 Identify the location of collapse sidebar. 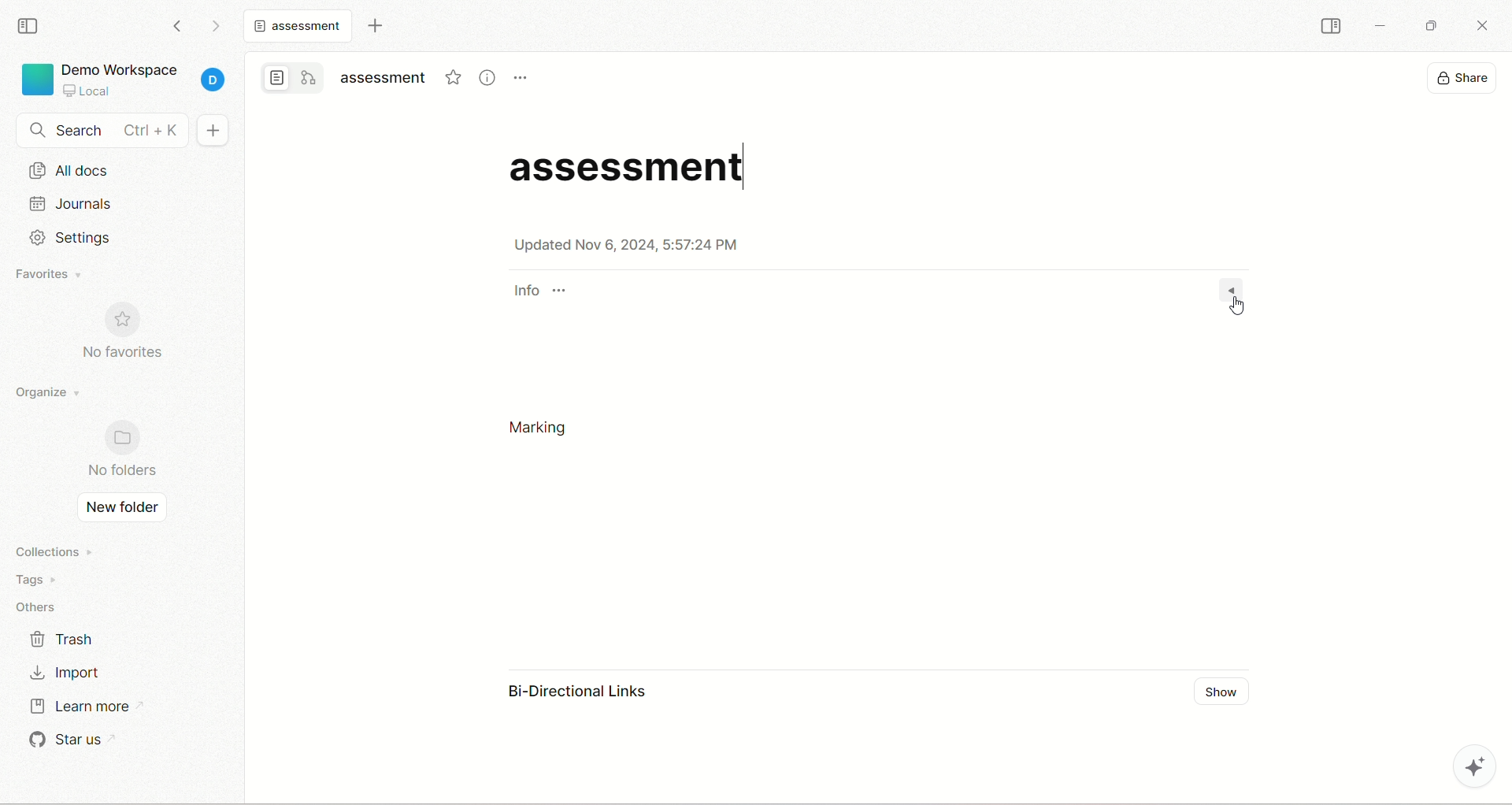
(1334, 28).